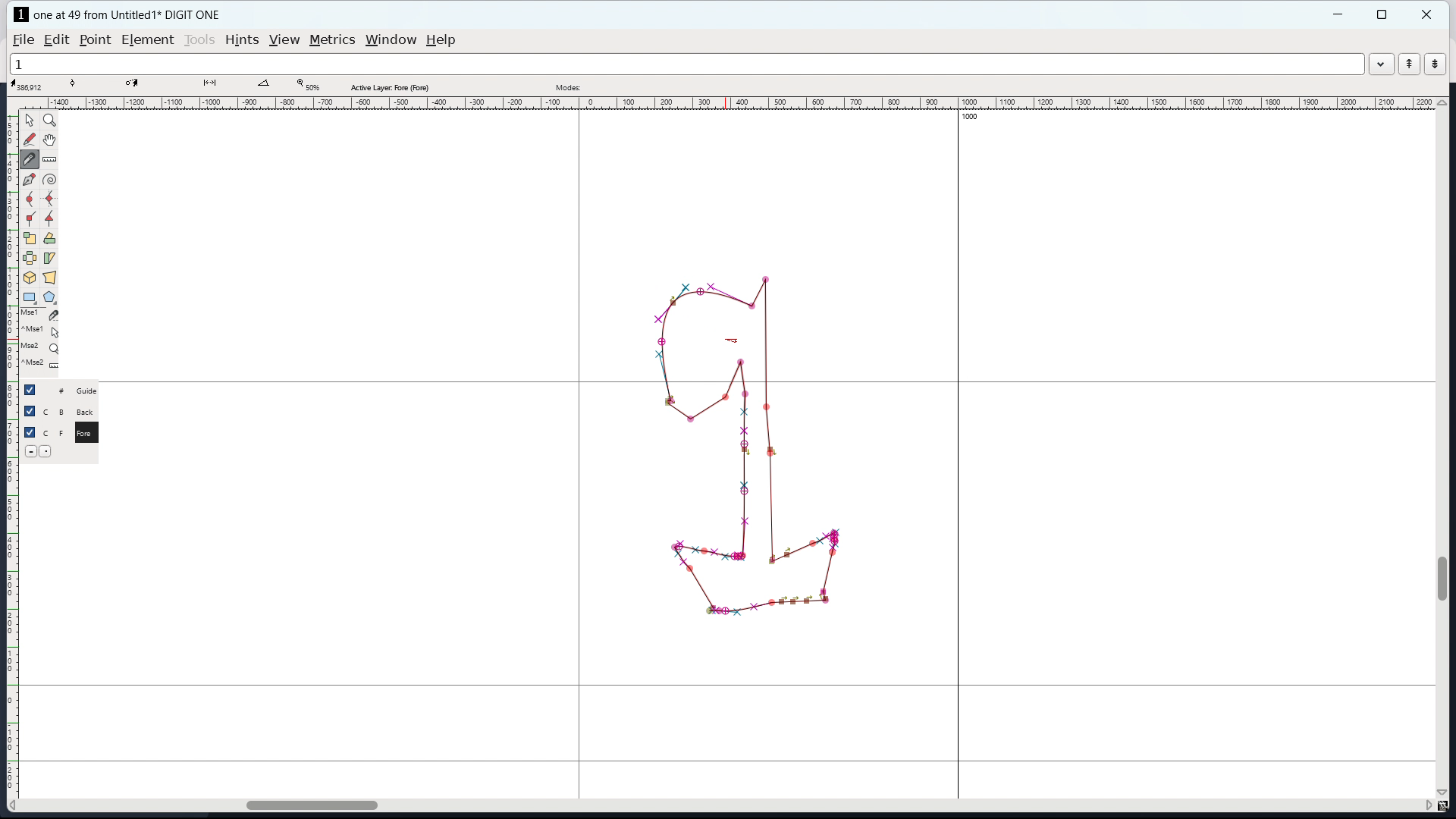 The width and height of the screenshot is (1456, 819). I want to click on vertical ruler, so click(12, 457).